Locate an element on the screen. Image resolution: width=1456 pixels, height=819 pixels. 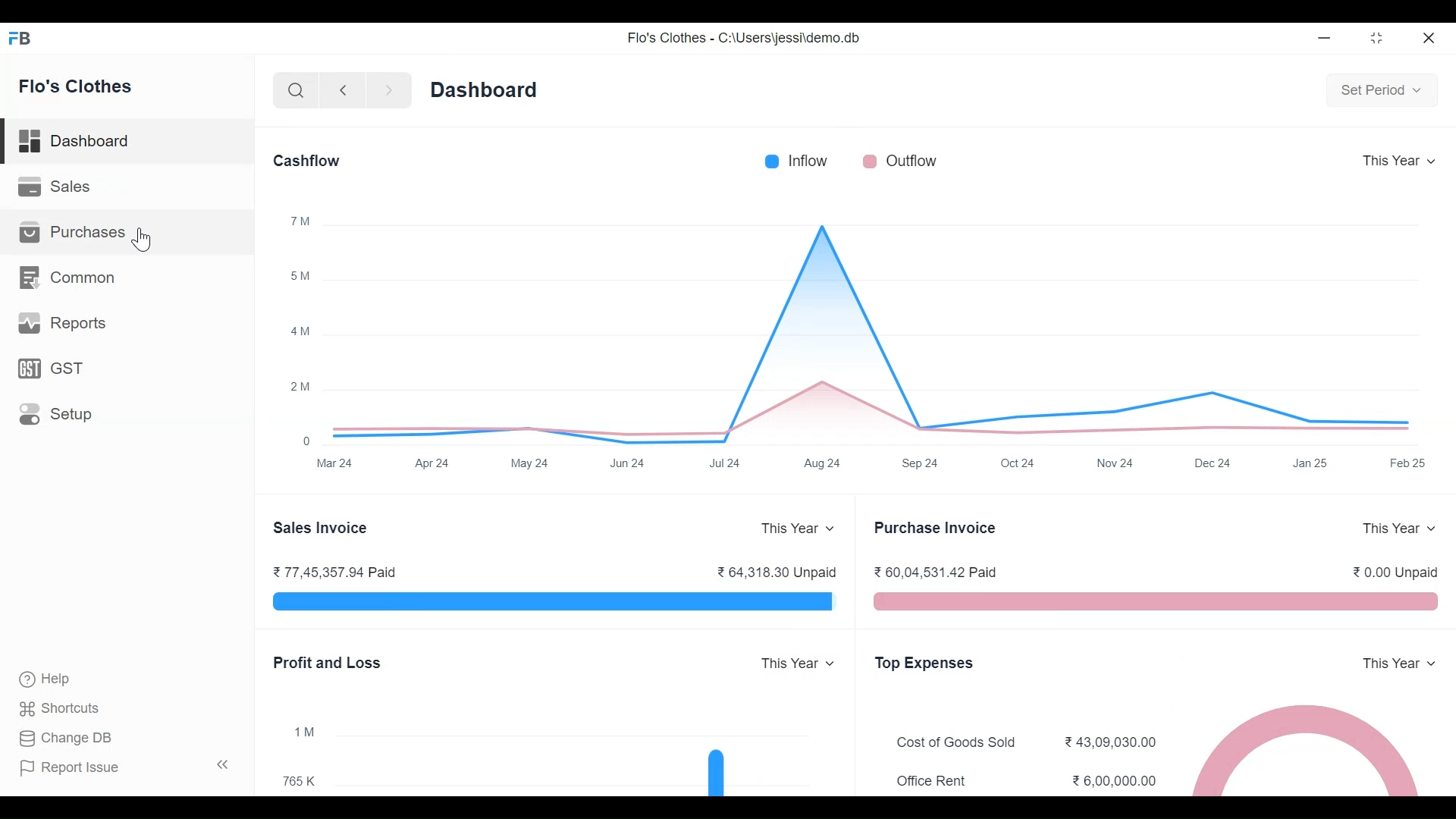
Set Period  is located at coordinates (1381, 89).